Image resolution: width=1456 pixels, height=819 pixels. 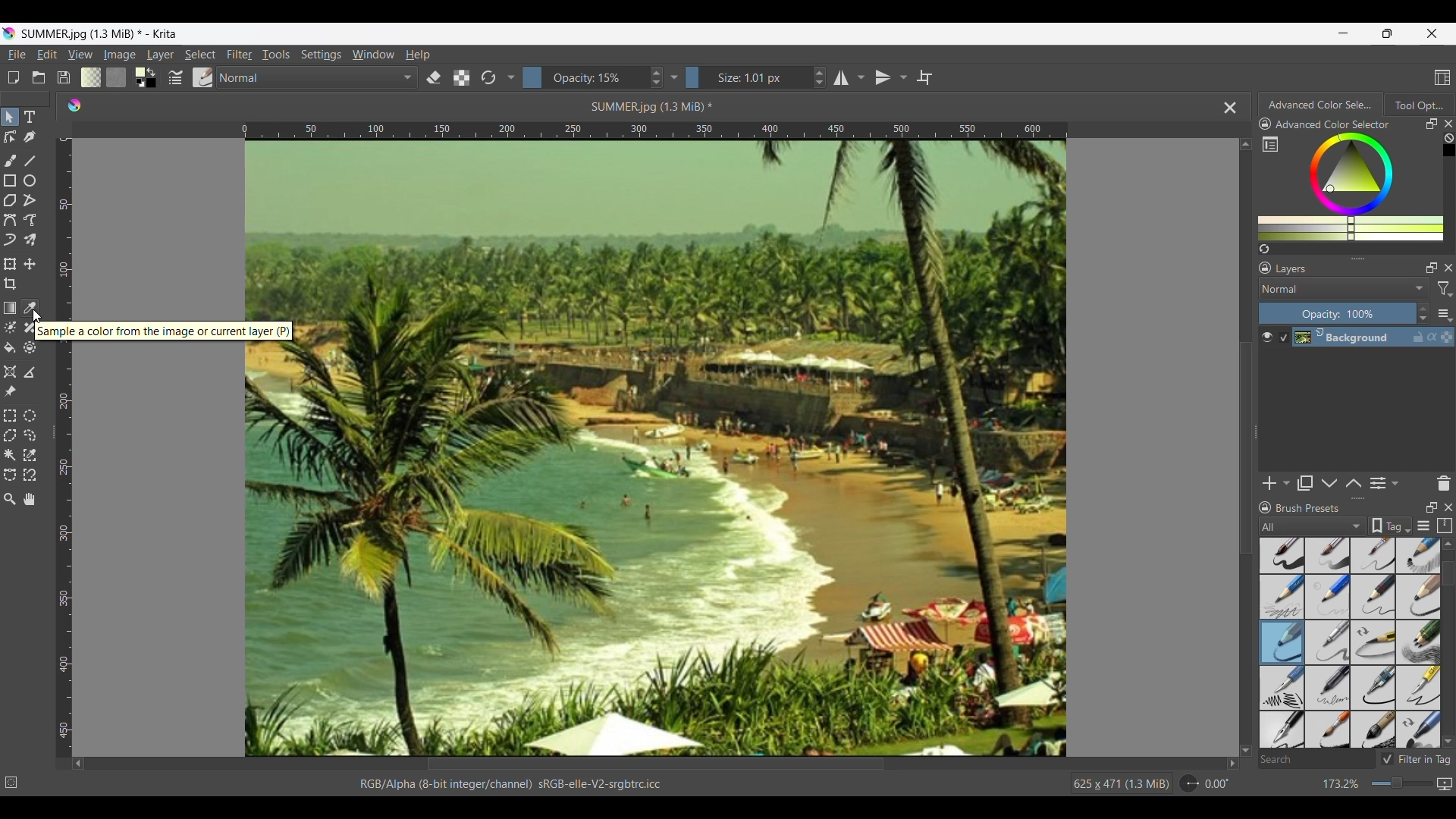 I want to click on Quick slide to bottom, so click(x=1448, y=742).